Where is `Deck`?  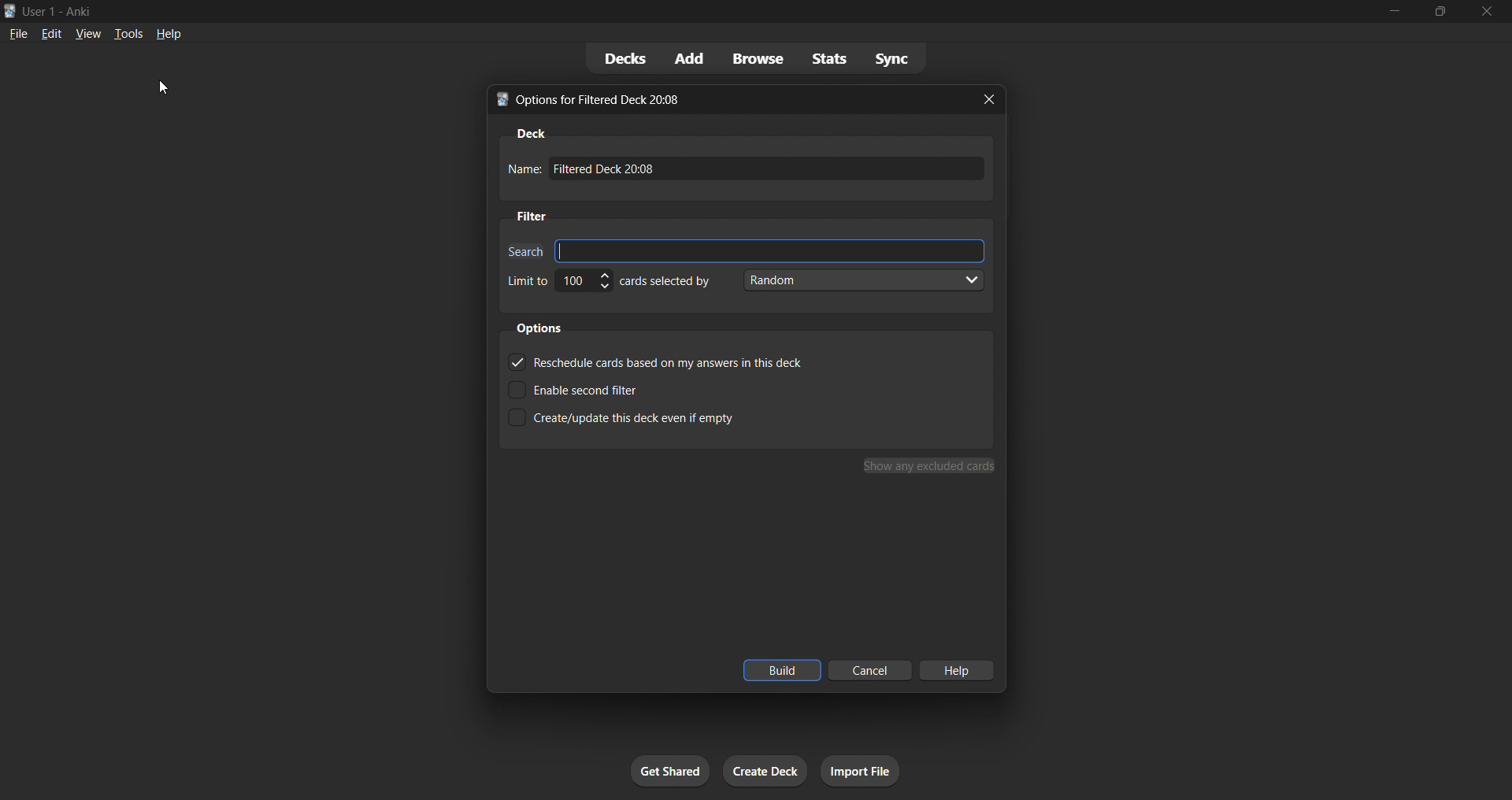
Deck is located at coordinates (529, 135).